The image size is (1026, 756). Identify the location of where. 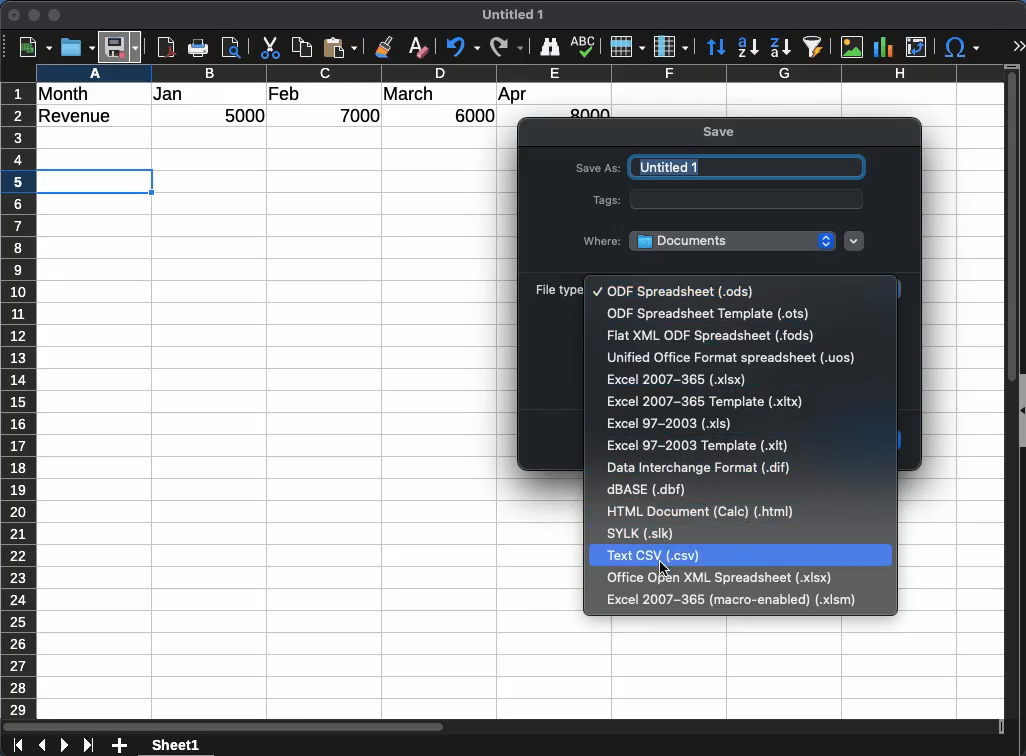
(603, 239).